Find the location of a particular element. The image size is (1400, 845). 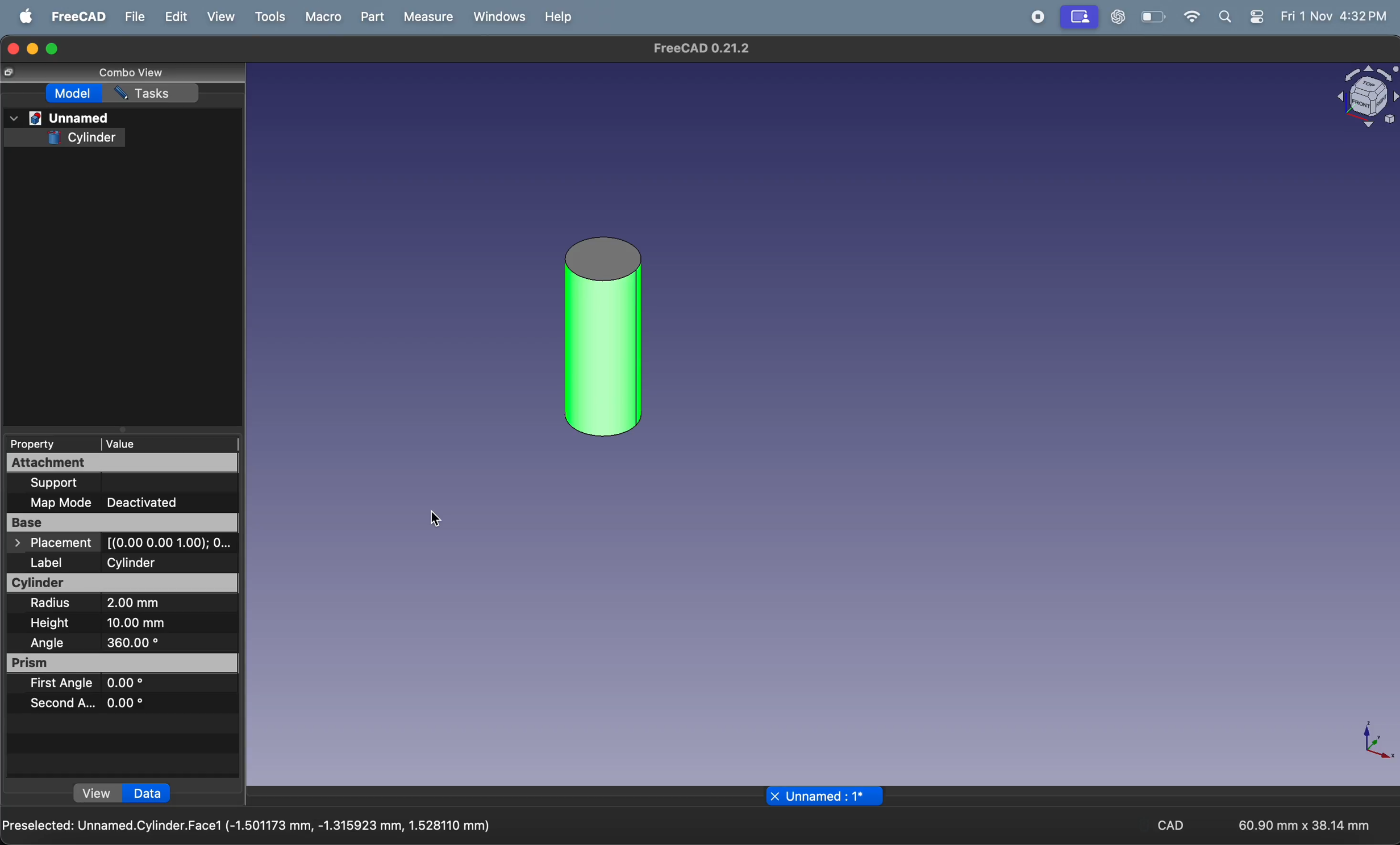

tools is located at coordinates (269, 17).